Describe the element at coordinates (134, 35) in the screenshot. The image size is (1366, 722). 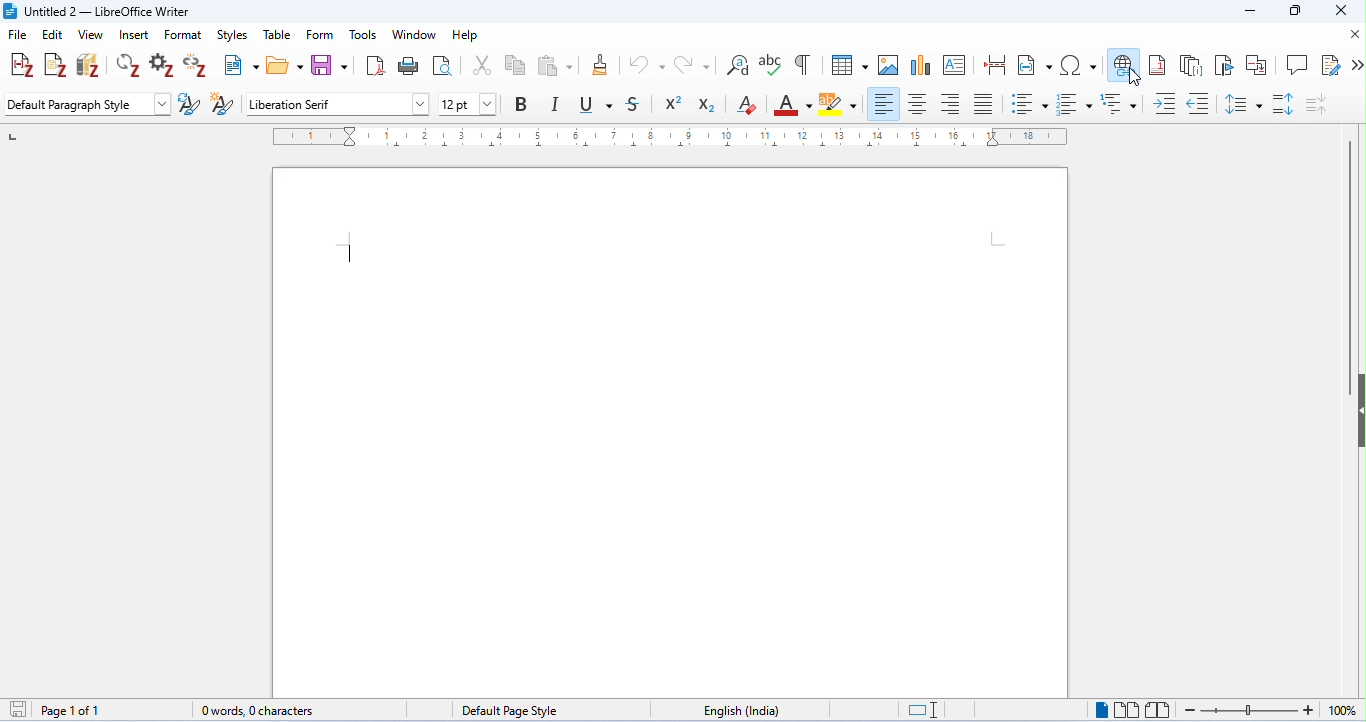
I see `insert` at that location.